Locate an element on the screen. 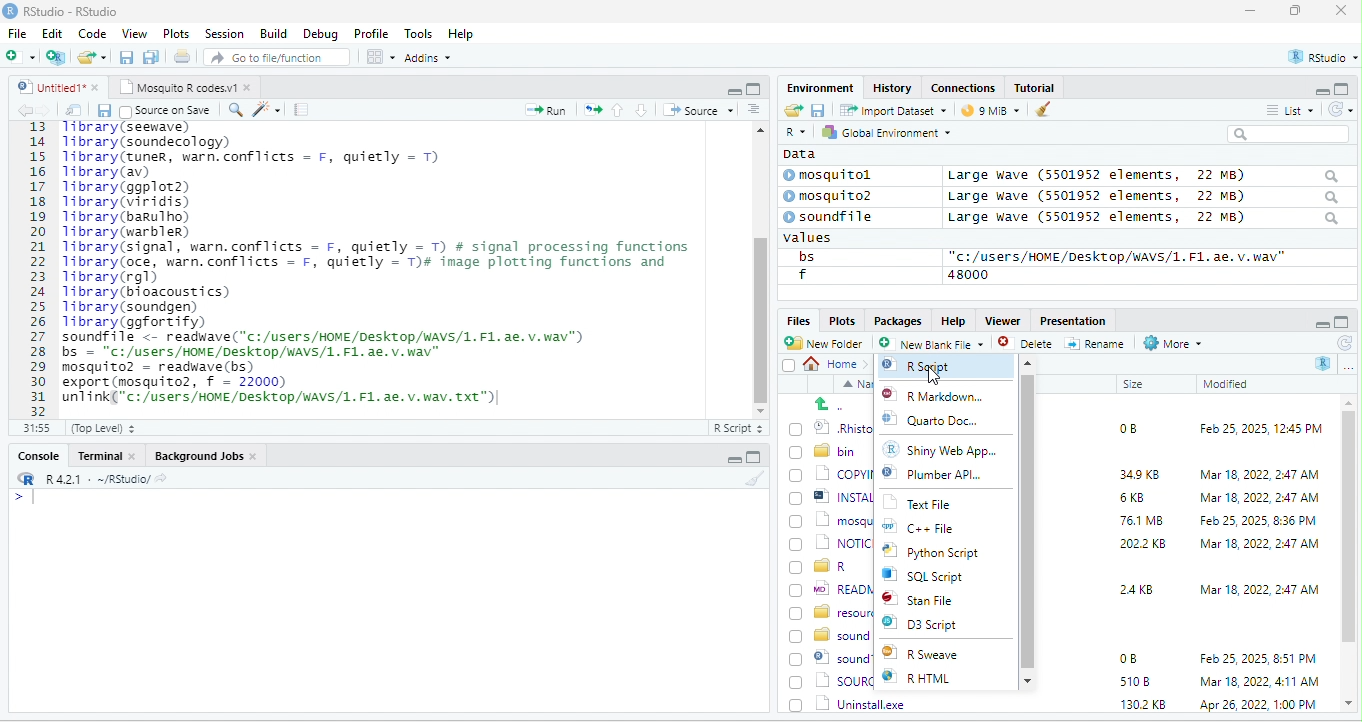  RR R421 - ~/RStudio/ is located at coordinates (87, 481).